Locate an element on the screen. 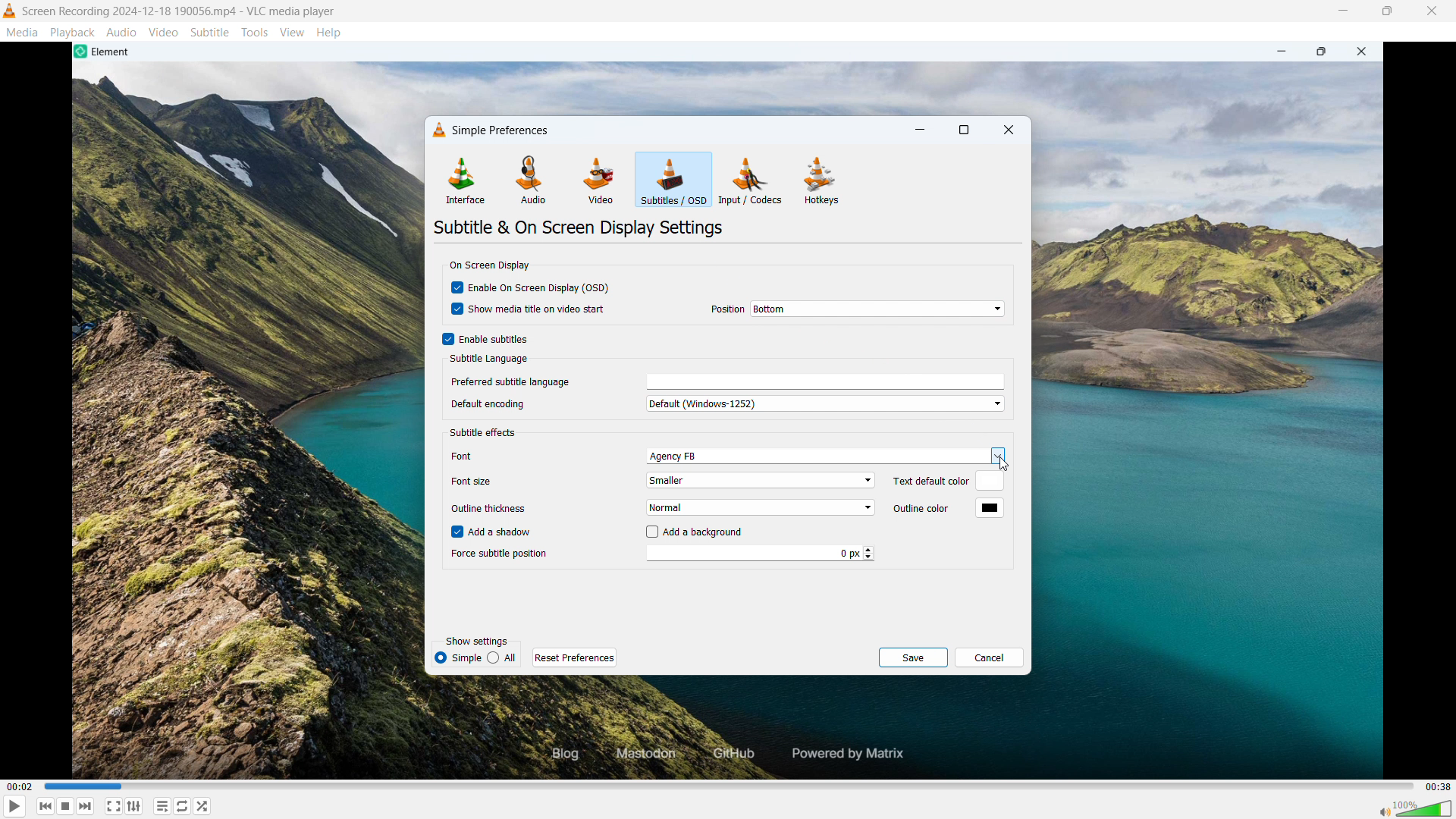 The image size is (1456, 819). Font is located at coordinates (482, 456).